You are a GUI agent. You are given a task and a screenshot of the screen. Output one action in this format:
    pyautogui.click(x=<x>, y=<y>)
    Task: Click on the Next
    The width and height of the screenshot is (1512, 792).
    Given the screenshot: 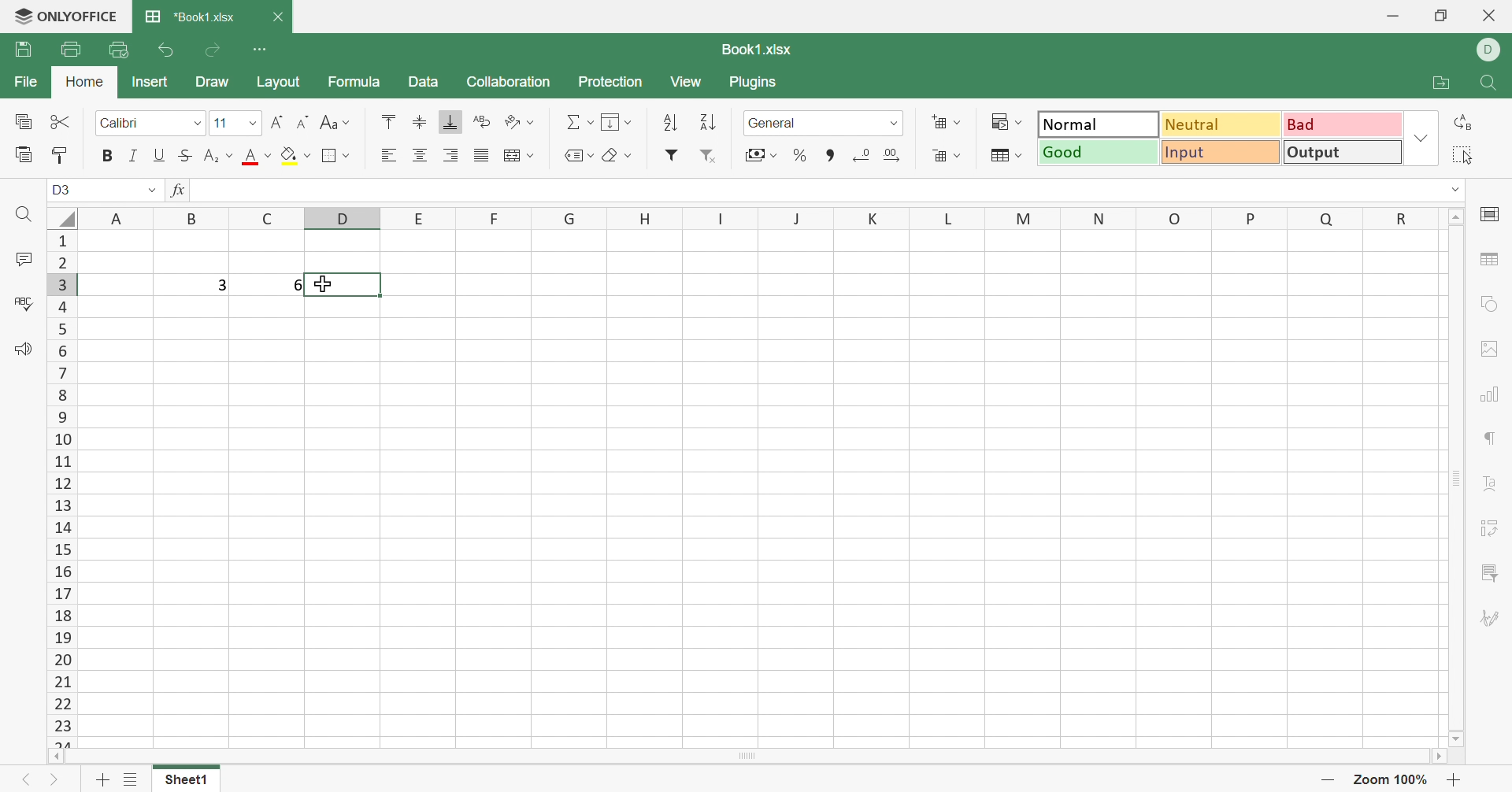 What is the action you would take?
    pyautogui.click(x=55, y=780)
    